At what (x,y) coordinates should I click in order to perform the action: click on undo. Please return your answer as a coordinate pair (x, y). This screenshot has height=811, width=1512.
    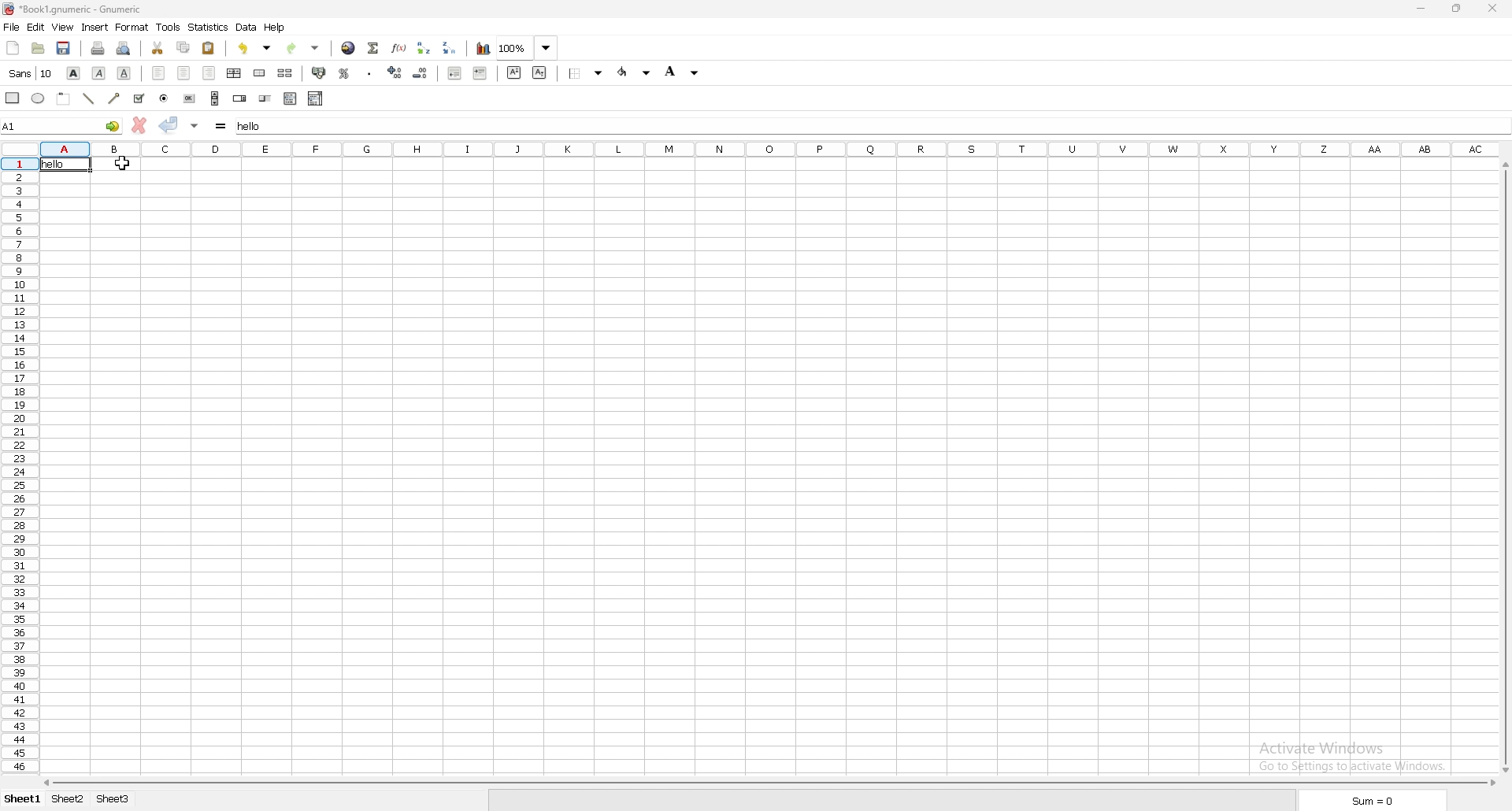
    Looking at the image, I should click on (255, 48).